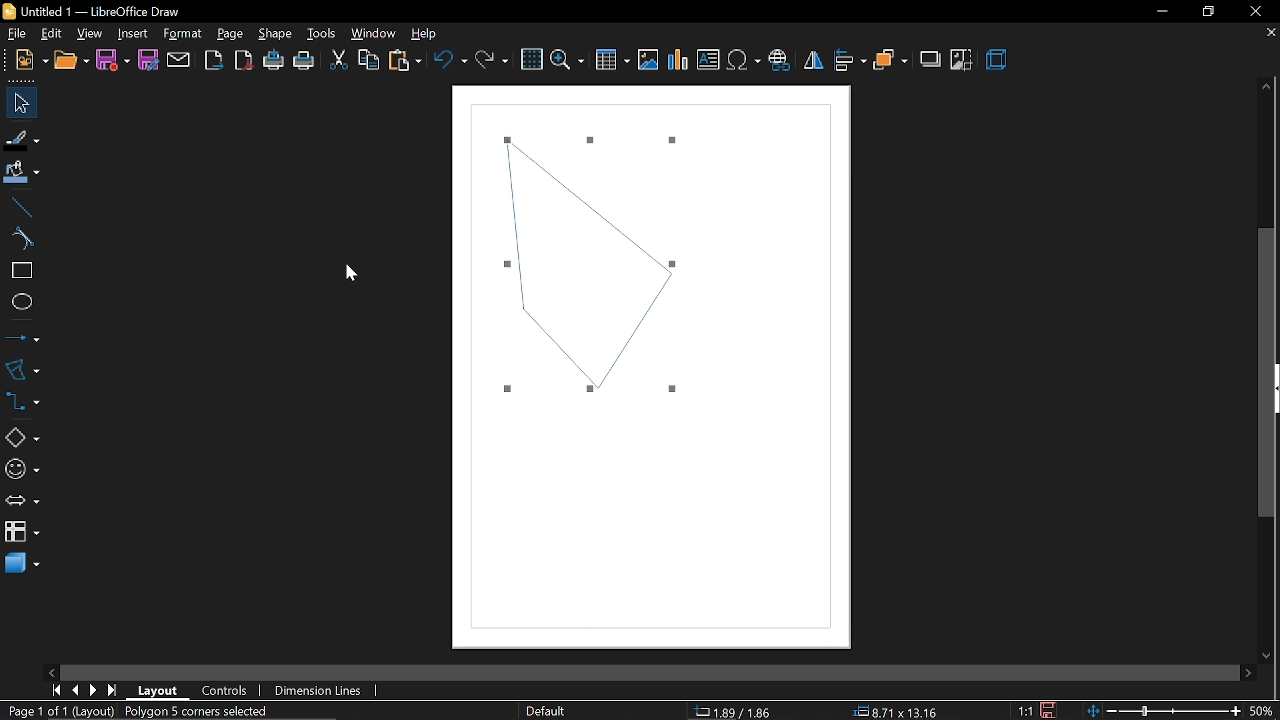  What do you see at coordinates (213, 59) in the screenshot?
I see `export` at bounding box center [213, 59].